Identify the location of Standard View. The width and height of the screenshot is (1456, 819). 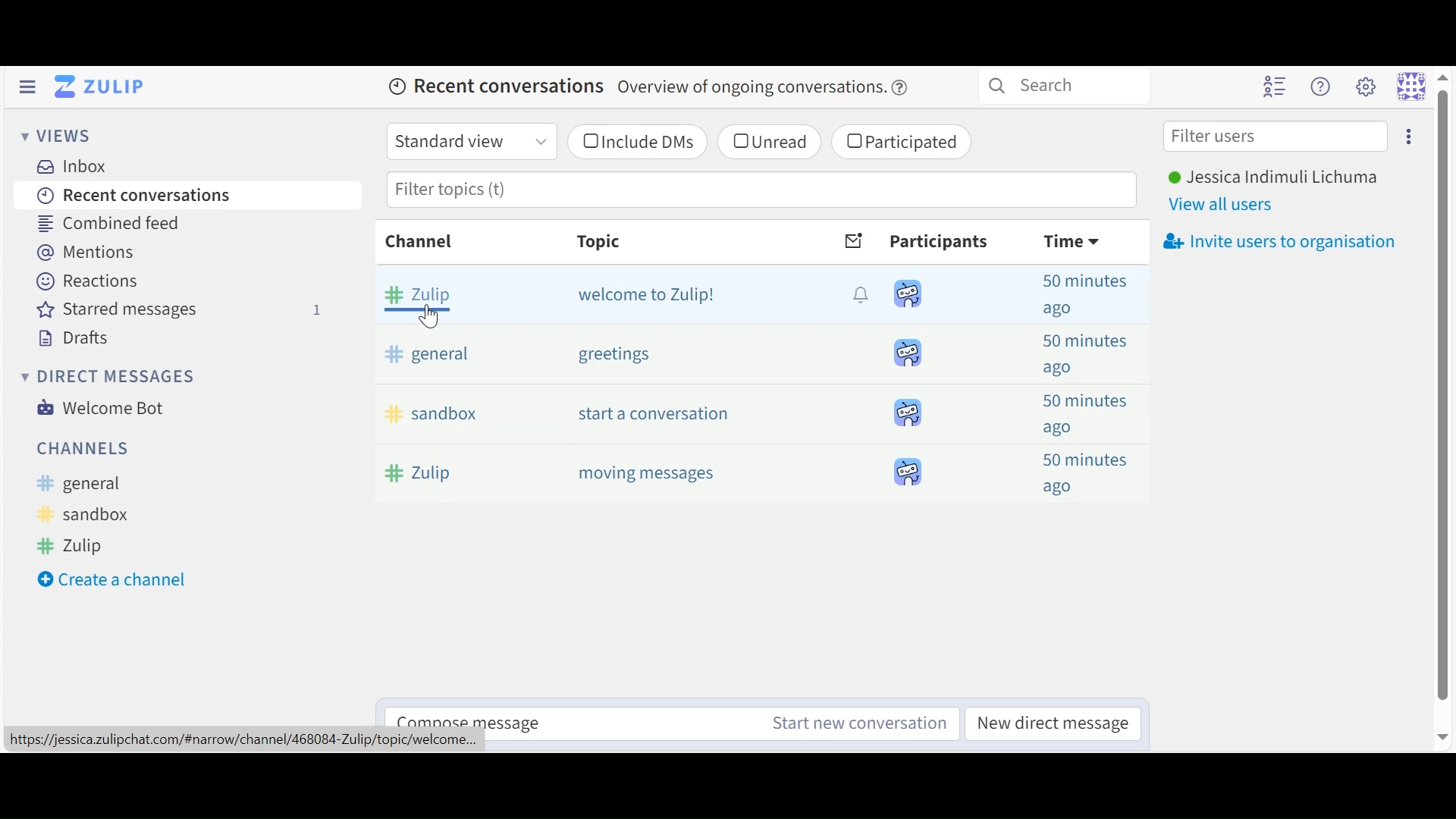
(485, 145).